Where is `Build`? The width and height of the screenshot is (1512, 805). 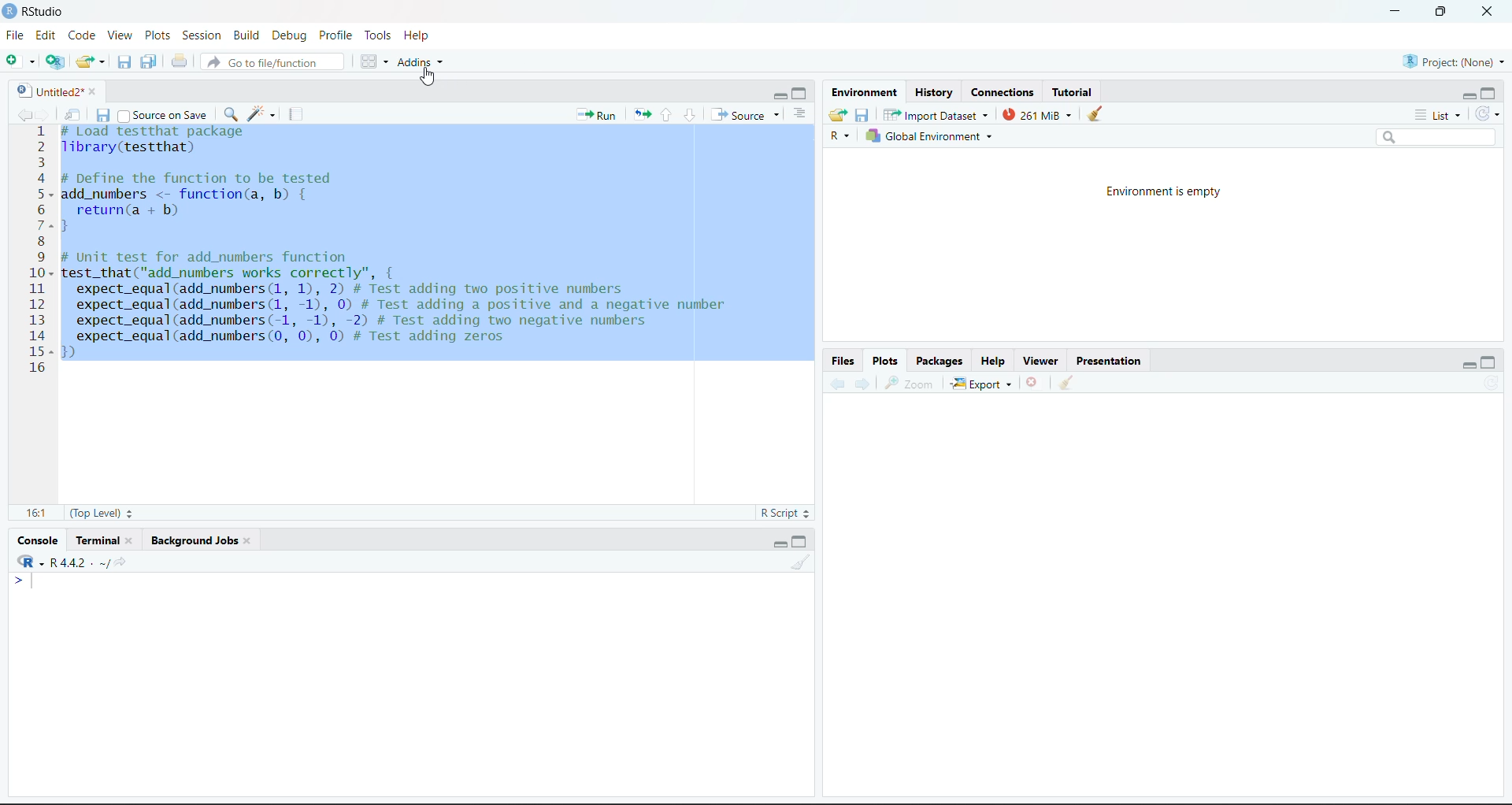
Build is located at coordinates (245, 35).